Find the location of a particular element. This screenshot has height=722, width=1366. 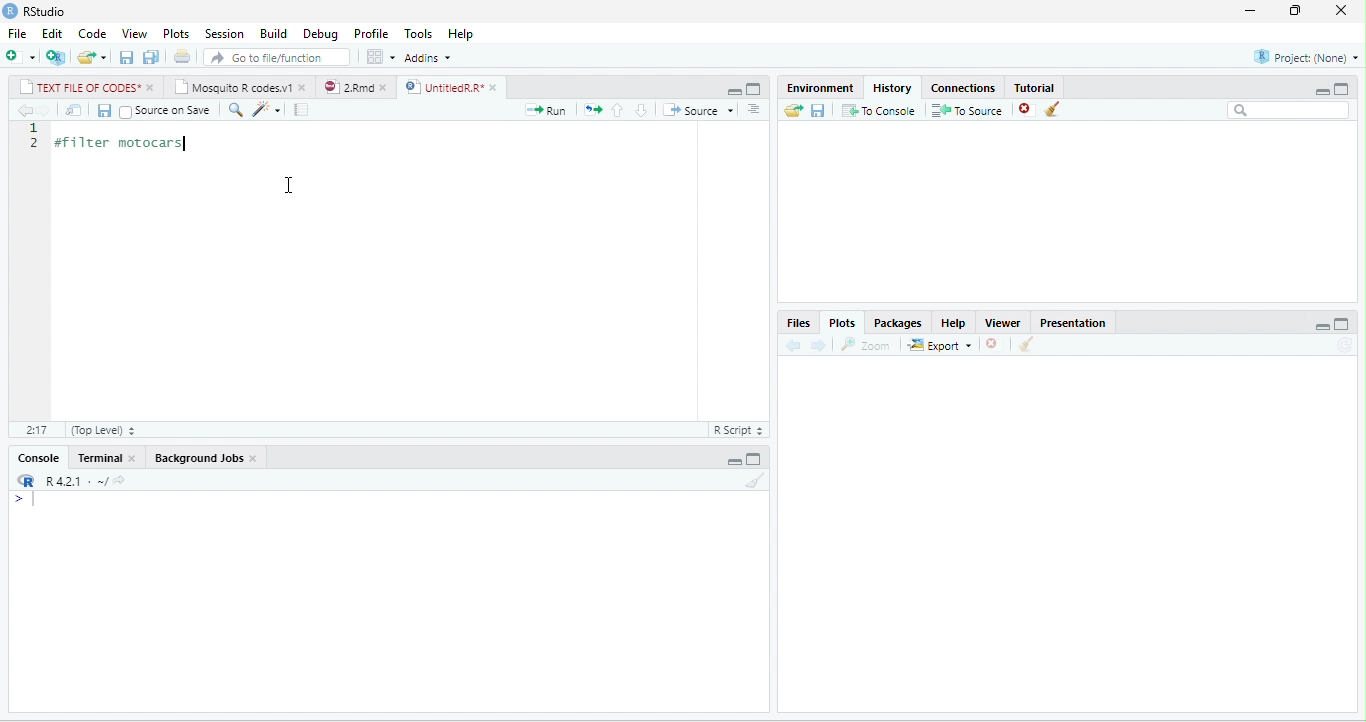

Source on Save is located at coordinates (166, 112).